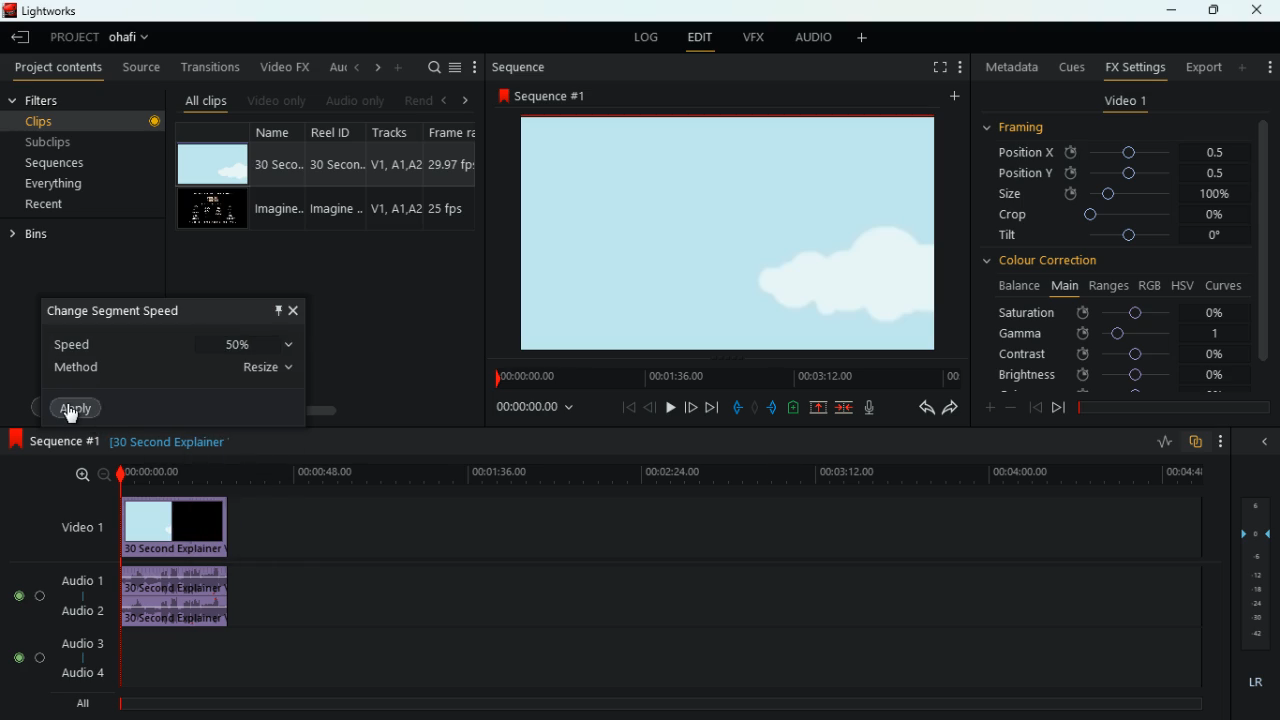  I want to click on hold, so click(754, 406).